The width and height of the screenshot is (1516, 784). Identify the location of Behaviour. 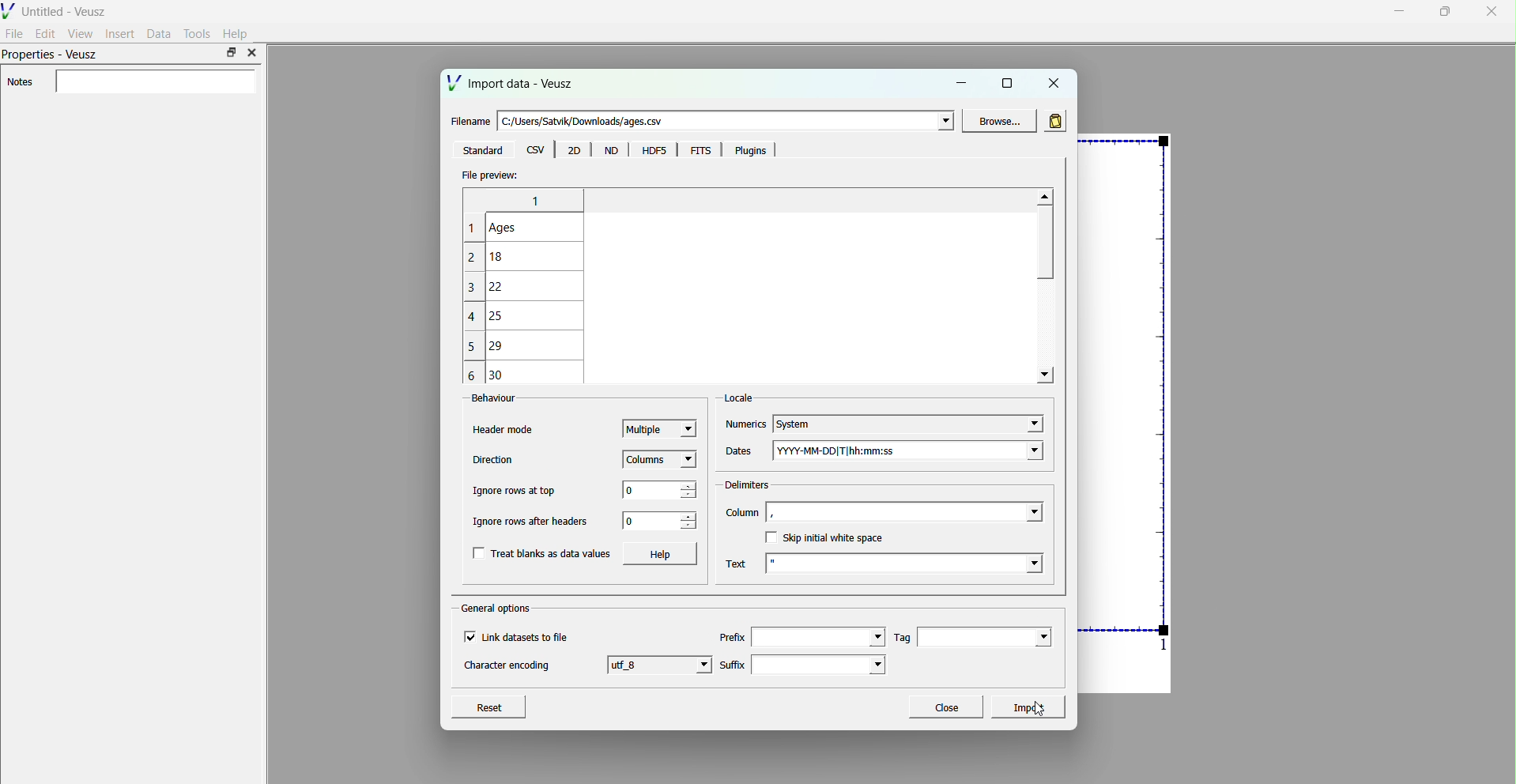
(495, 398).